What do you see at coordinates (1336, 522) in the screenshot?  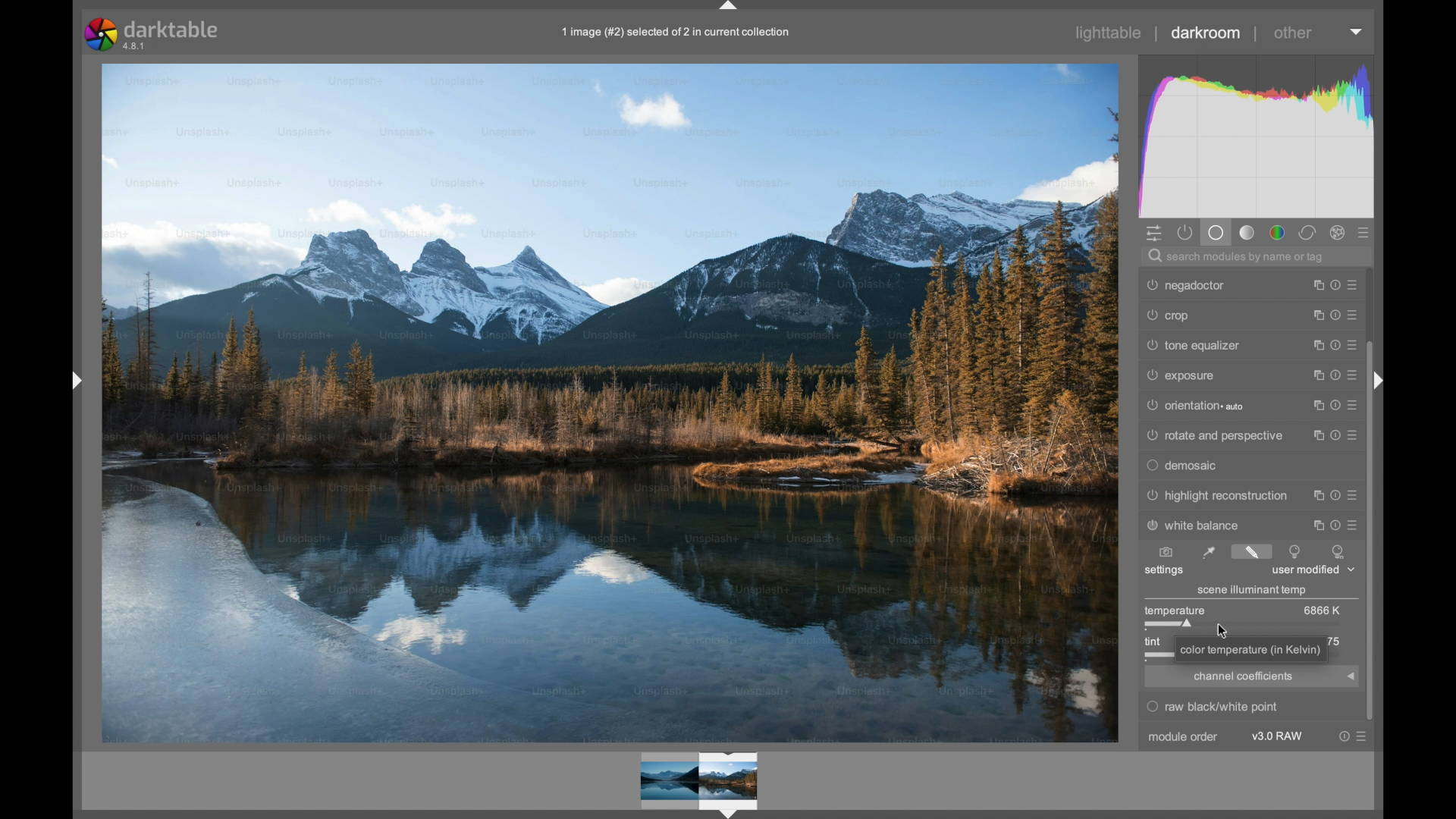 I see `reset parameters` at bounding box center [1336, 522].